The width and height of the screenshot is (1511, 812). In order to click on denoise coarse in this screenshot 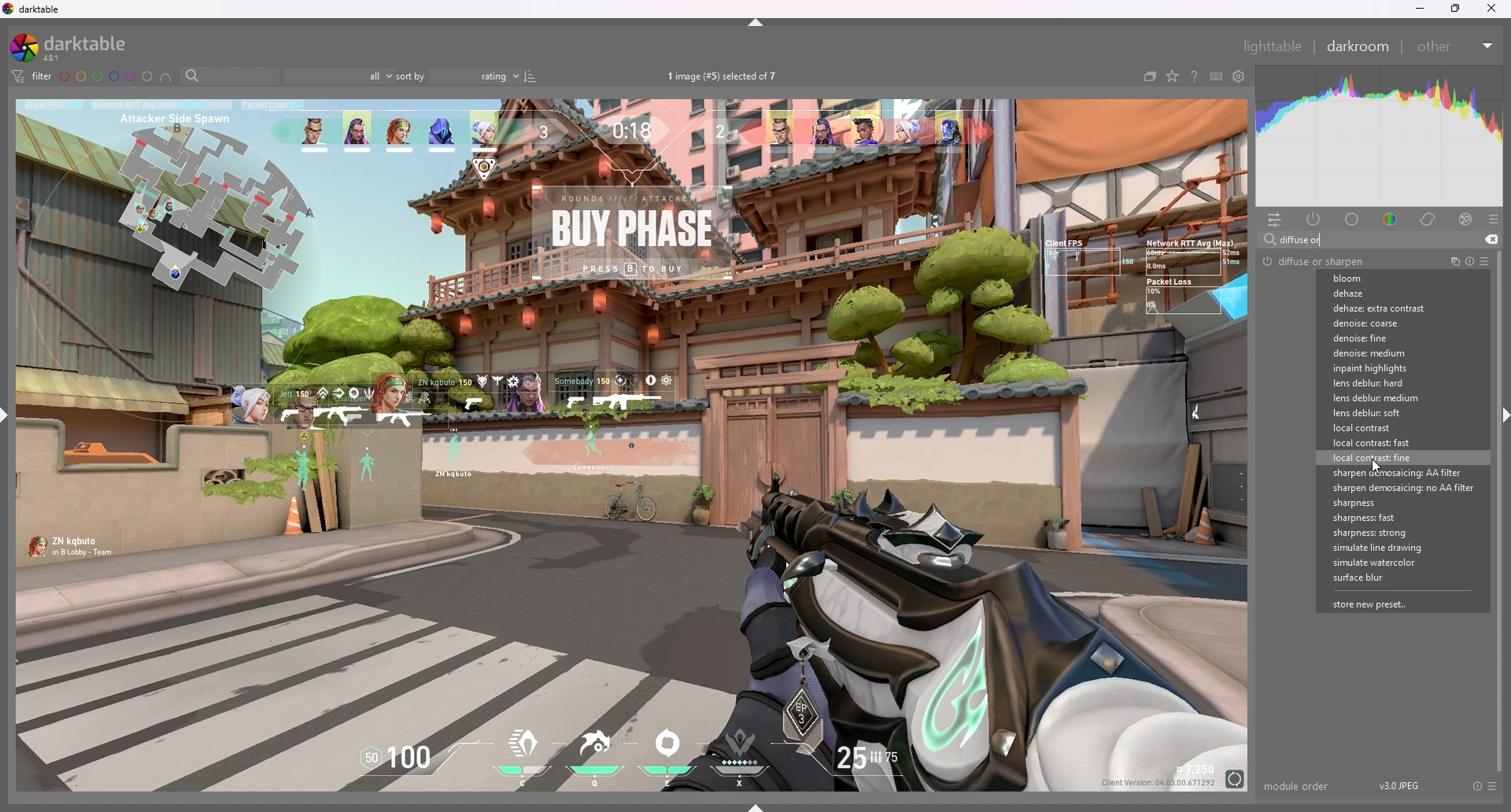, I will do `click(1385, 323)`.